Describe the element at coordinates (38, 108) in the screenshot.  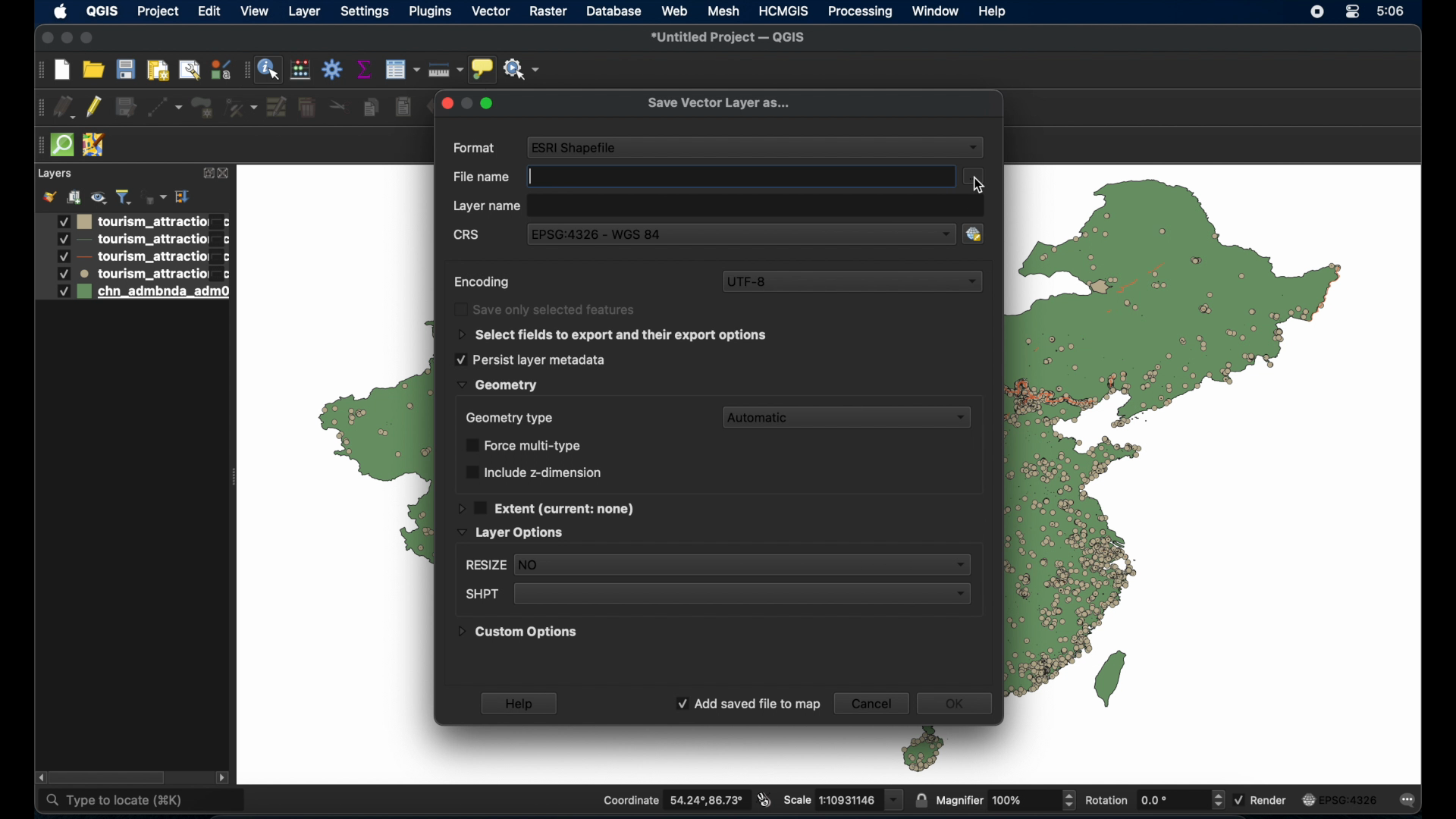
I see `drag handle` at that location.